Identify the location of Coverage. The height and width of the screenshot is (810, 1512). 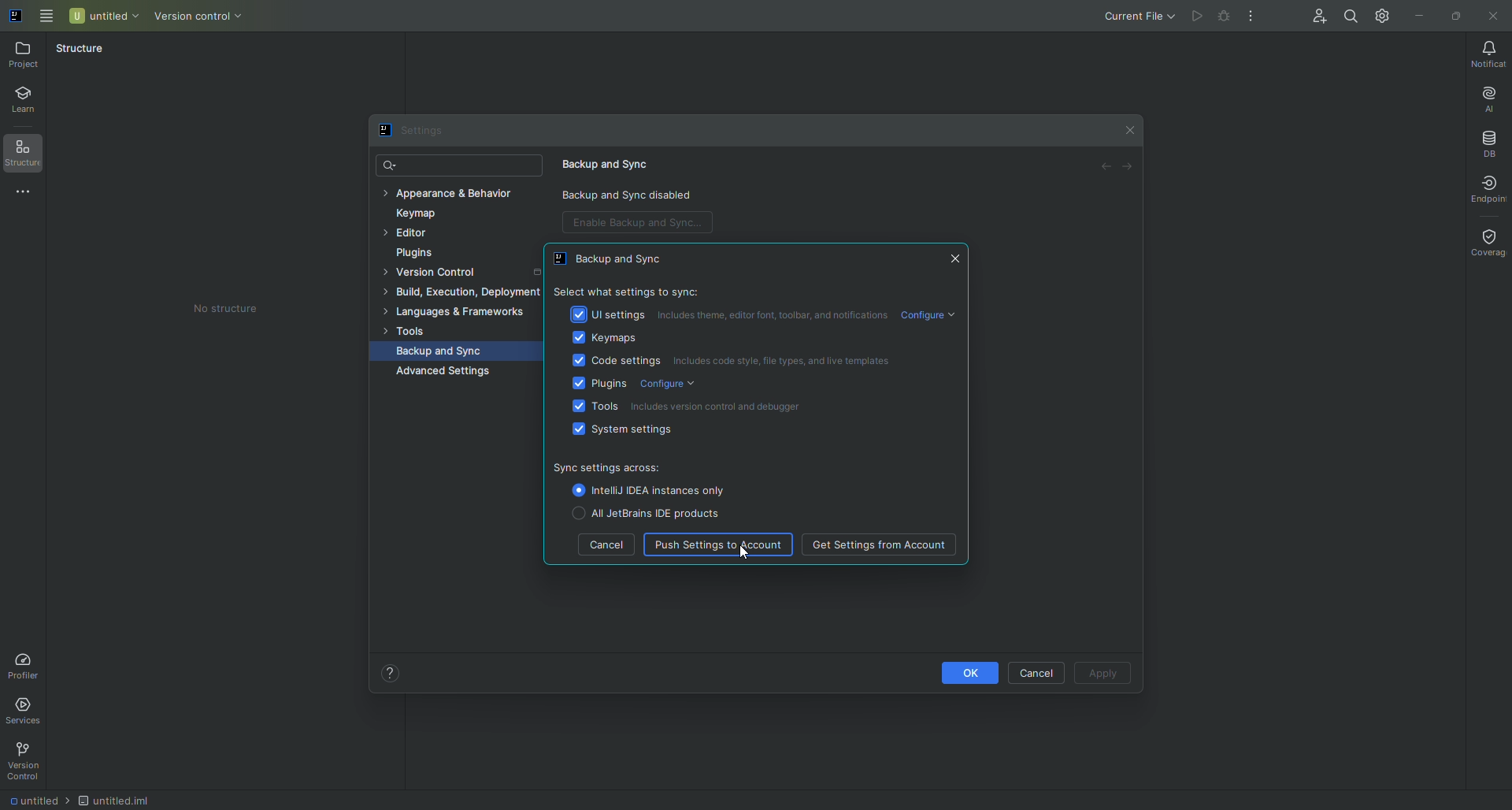
(1486, 241).